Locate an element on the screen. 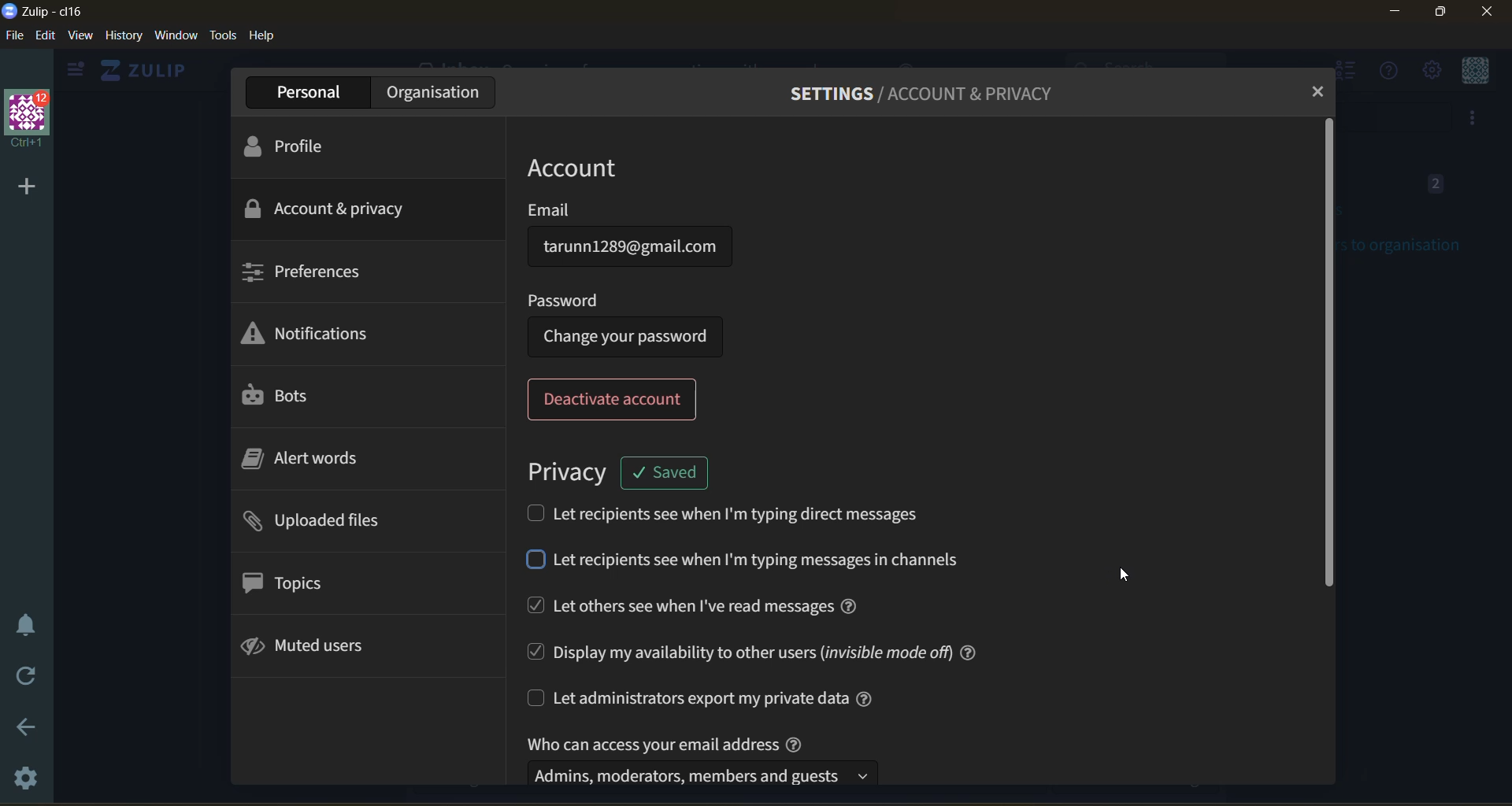 The height and width of the screenshot is (806, 1512). alert words is located at coordinates (319, 462).